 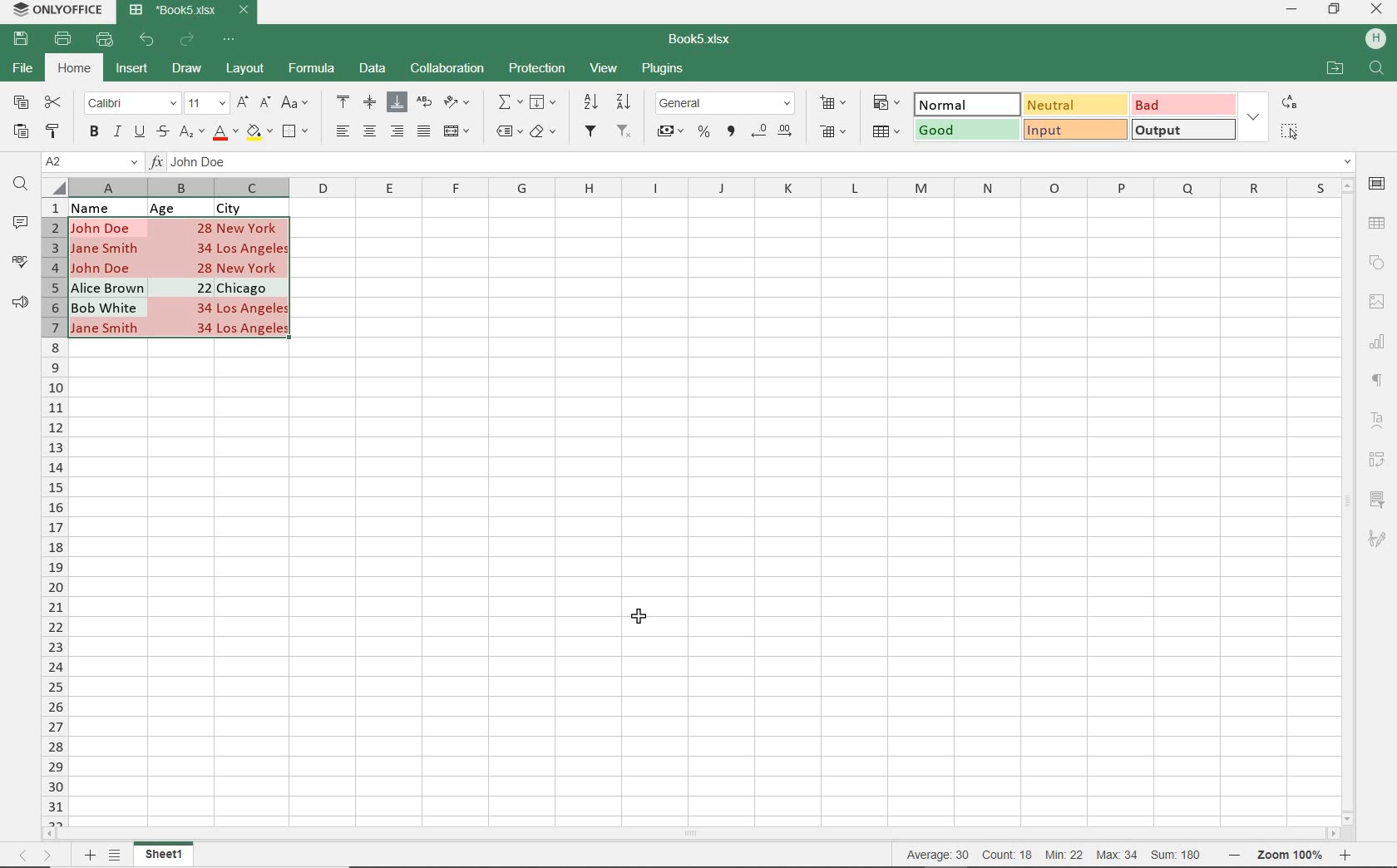 What do you see at coordinates (1253, 116) in the screenshot?
I see `EXPAND` at bounding box center [1253, 116].